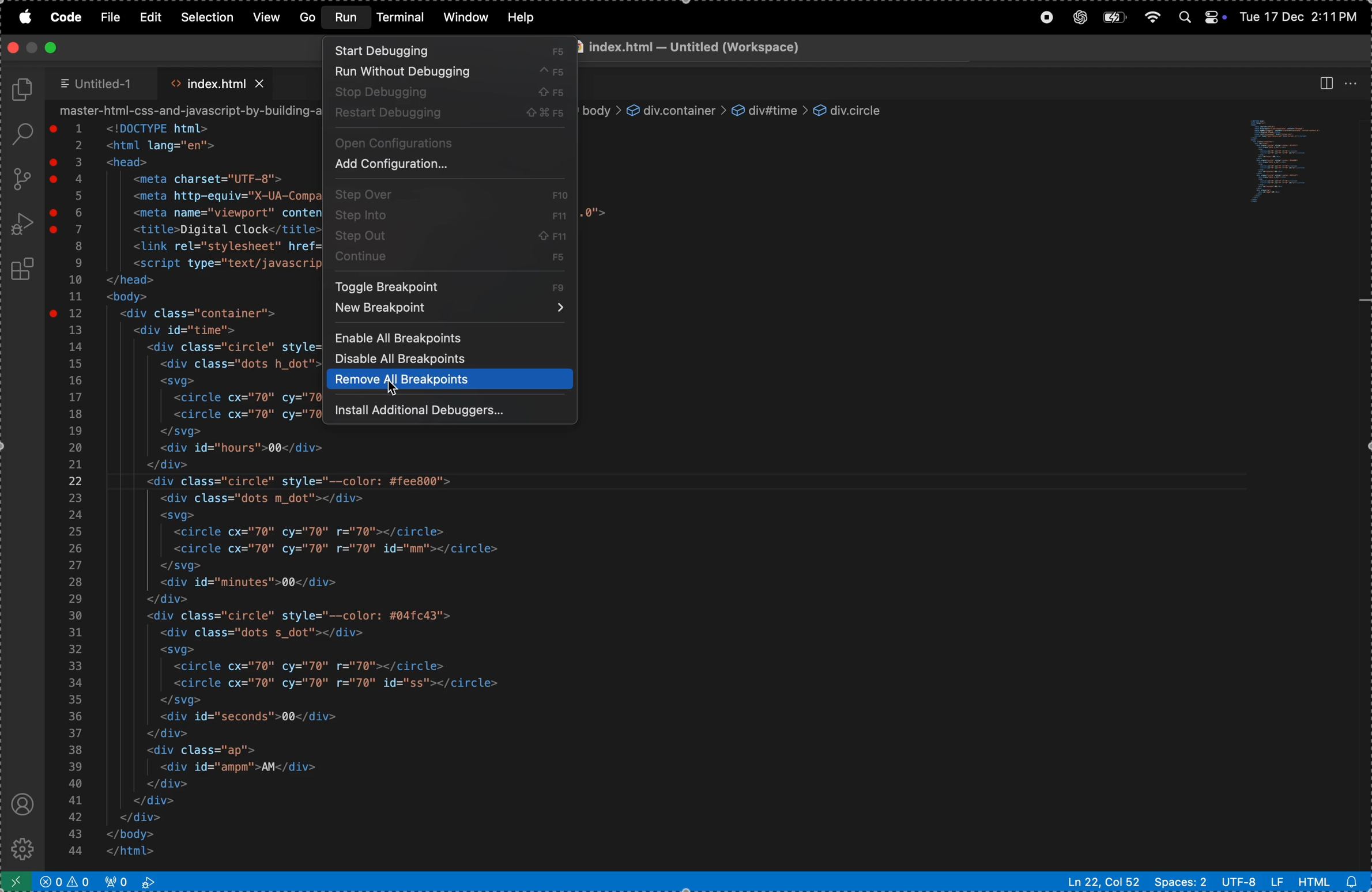  I want to click on apple widgets, so click(1197, 14).